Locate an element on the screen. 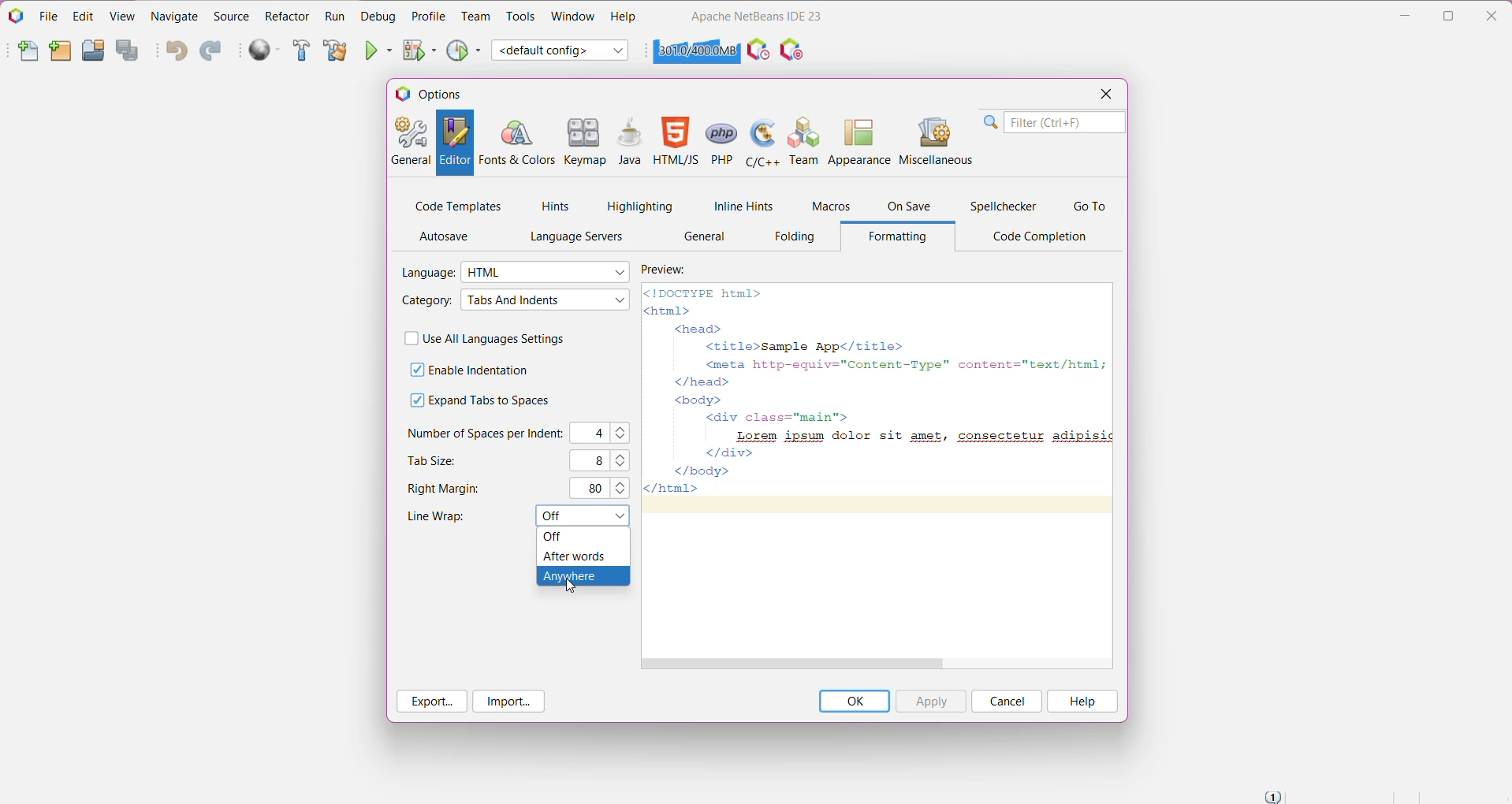  Edit is located at coordinates (81, 16).